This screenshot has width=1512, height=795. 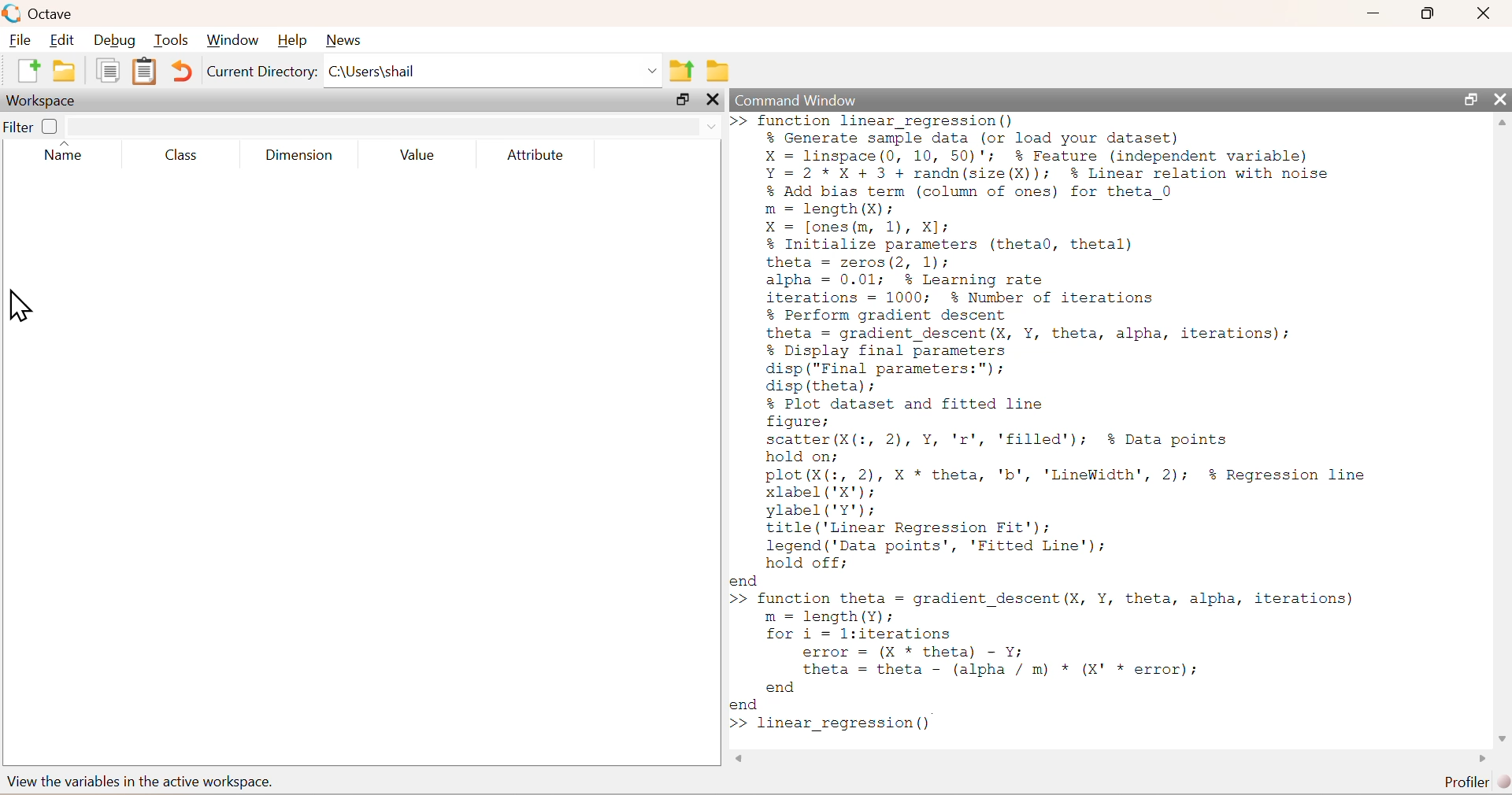 I want to click on close, so click(x=712, y=99).